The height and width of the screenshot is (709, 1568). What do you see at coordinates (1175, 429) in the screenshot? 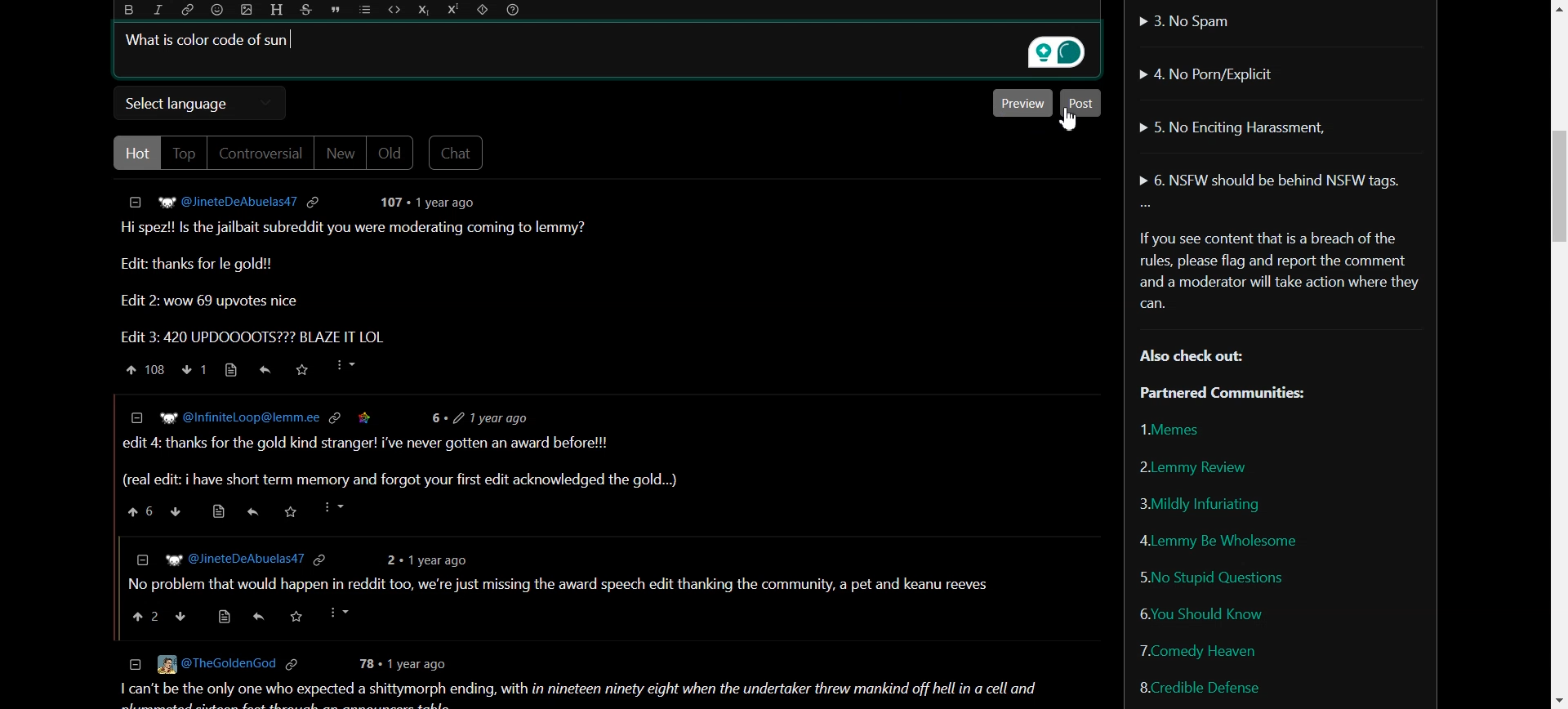
I see `Memes` at bounding box center [1175, 429].